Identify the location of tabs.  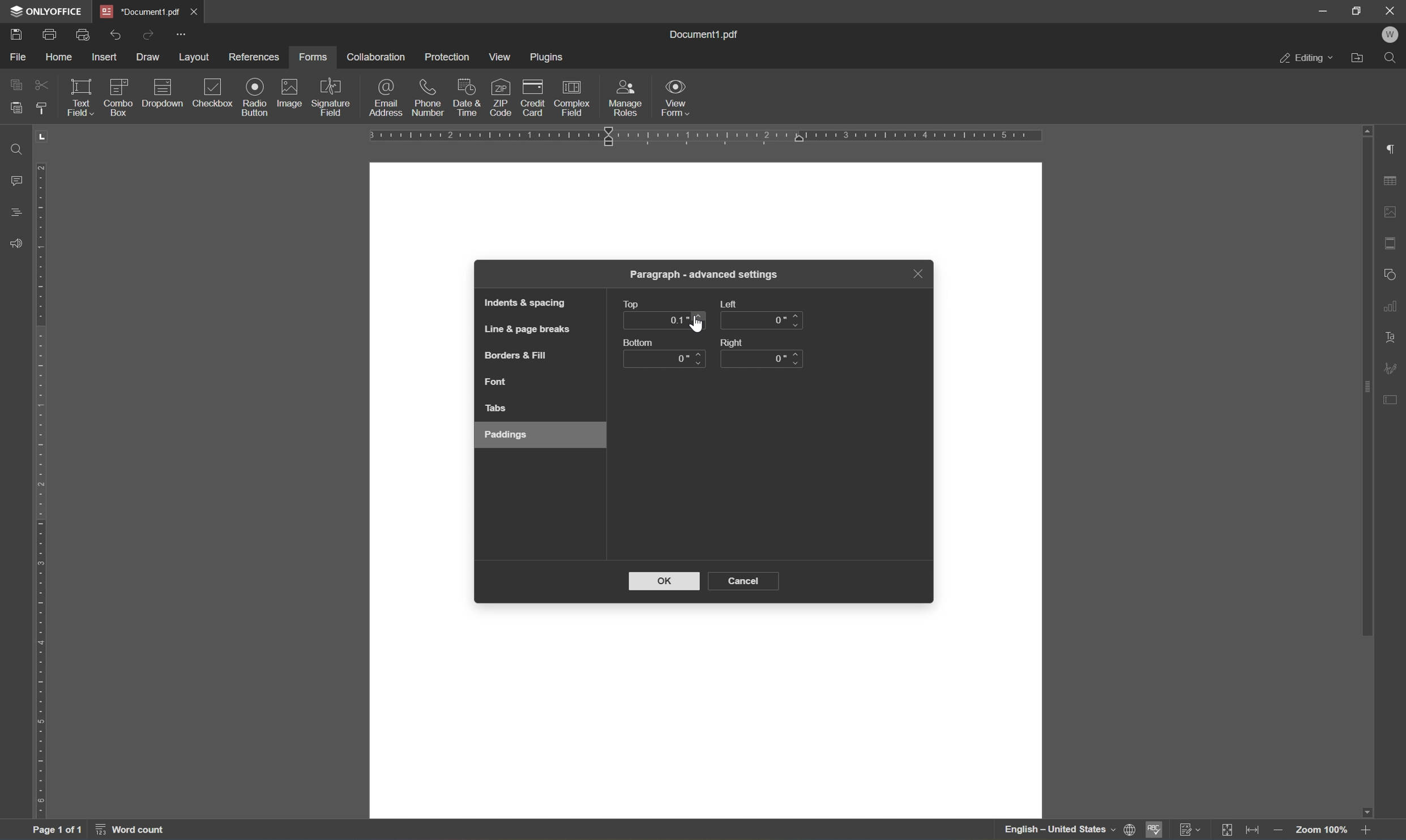
(498, 409).